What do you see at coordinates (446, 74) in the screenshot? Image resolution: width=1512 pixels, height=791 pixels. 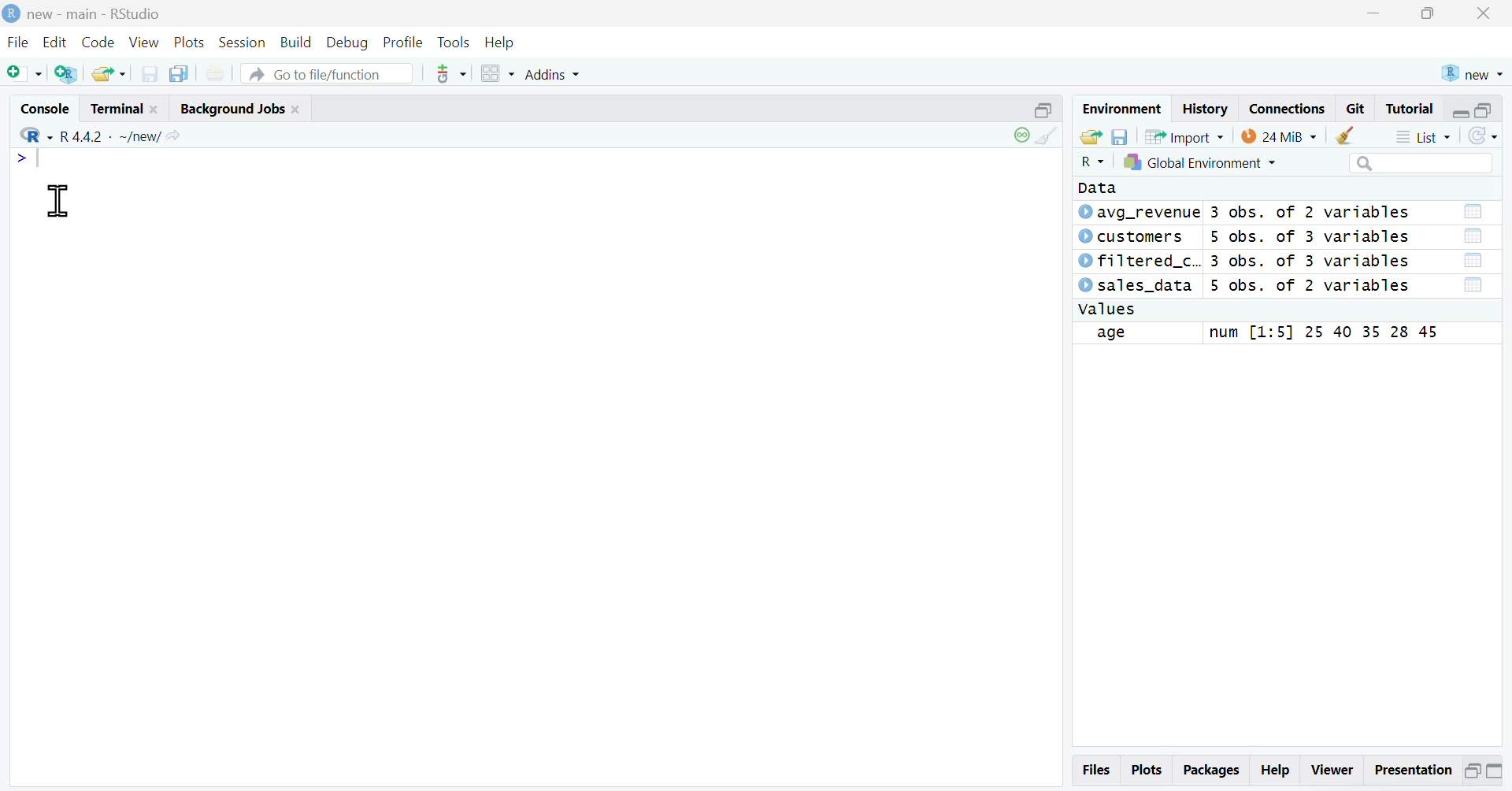 I see `git commit` at bounding box center [446, 74].